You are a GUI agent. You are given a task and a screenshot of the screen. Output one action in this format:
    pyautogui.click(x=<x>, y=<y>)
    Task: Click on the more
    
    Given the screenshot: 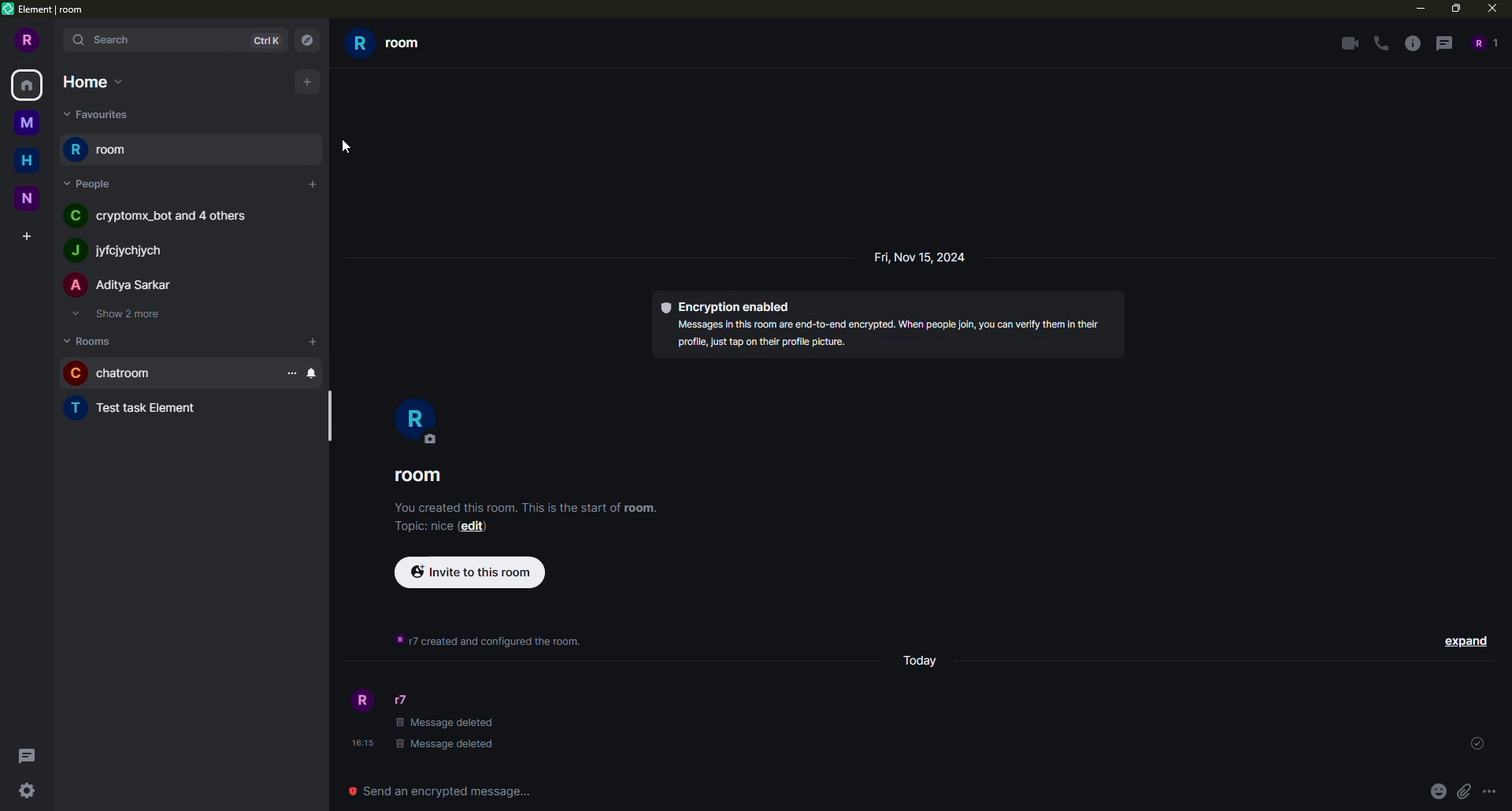 What is the action you would take?
    pyautogui.click(x=1489, y=791)
    